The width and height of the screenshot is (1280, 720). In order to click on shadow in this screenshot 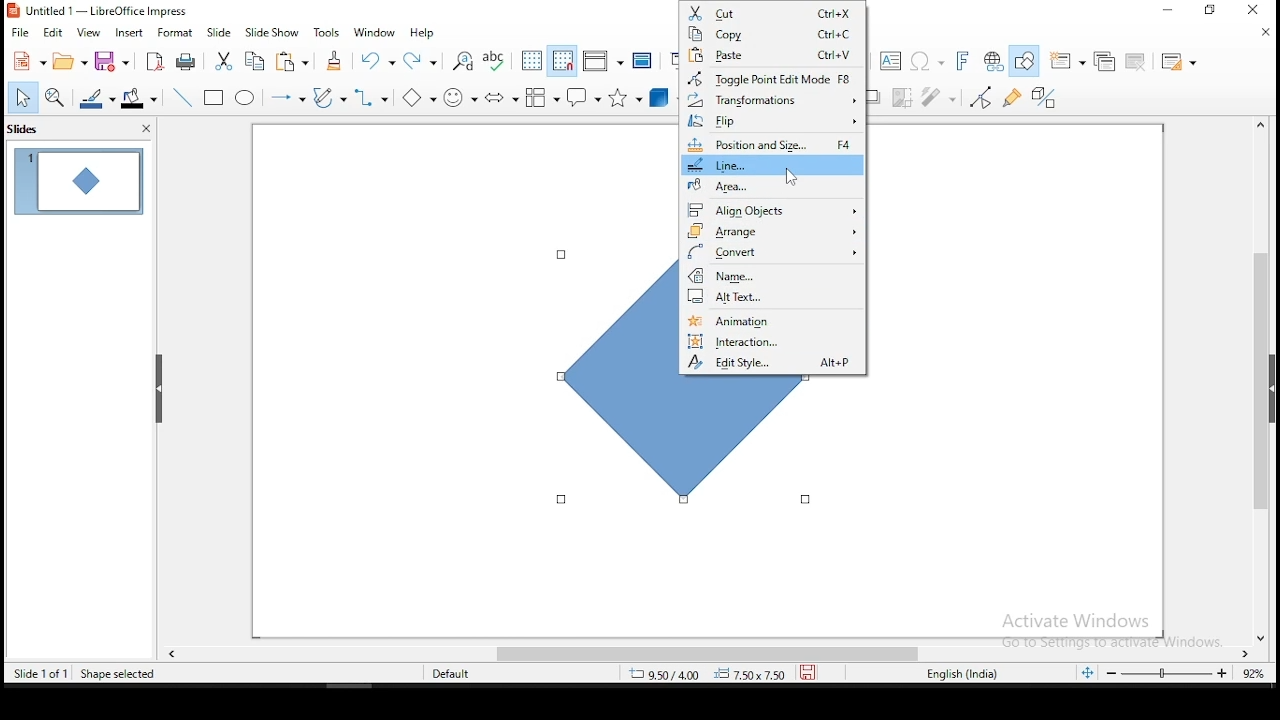, I will do `click(876, 97)`.